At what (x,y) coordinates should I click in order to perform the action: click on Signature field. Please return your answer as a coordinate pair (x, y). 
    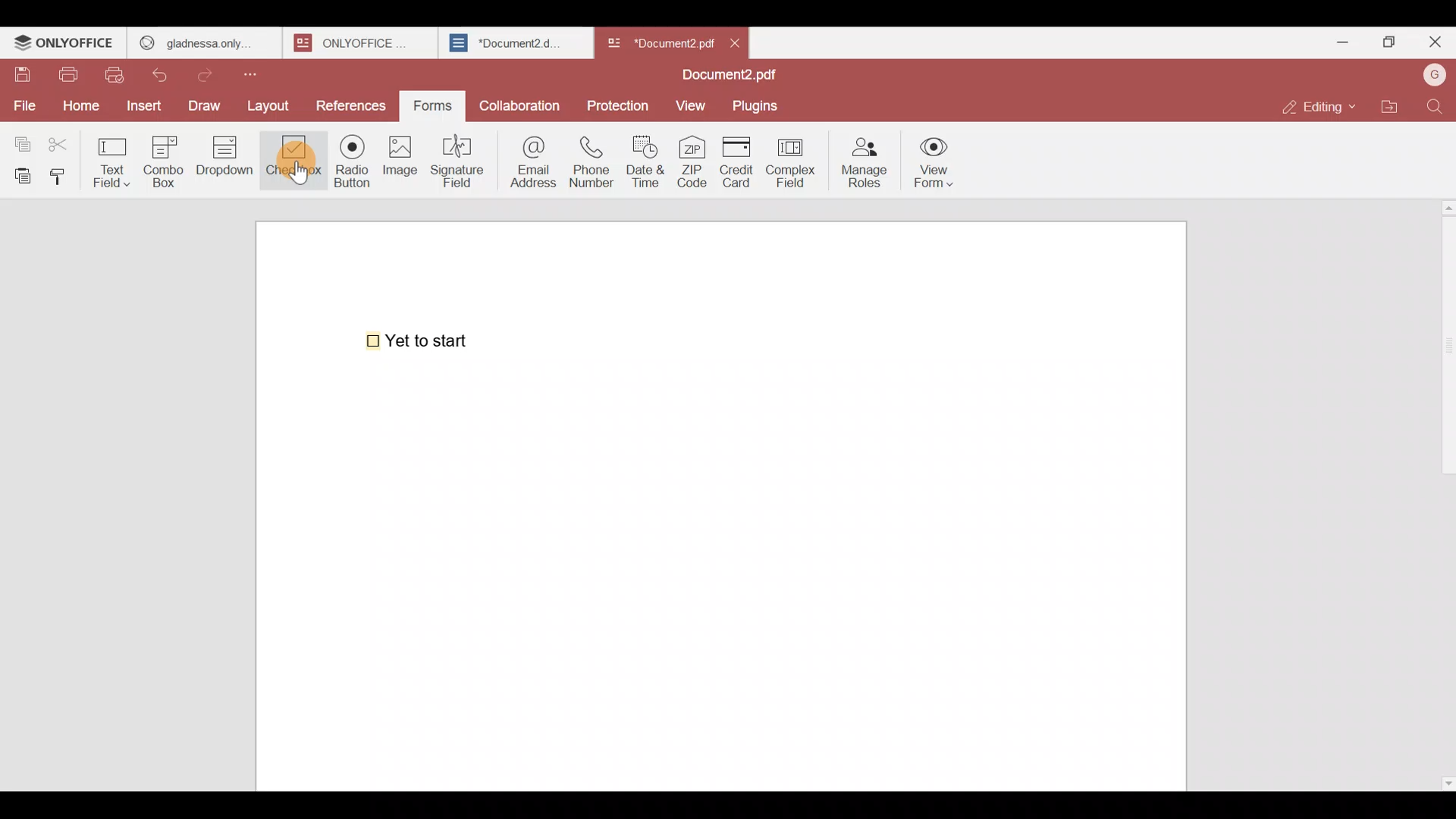
    Looking at the image, I should click on (462, 159).